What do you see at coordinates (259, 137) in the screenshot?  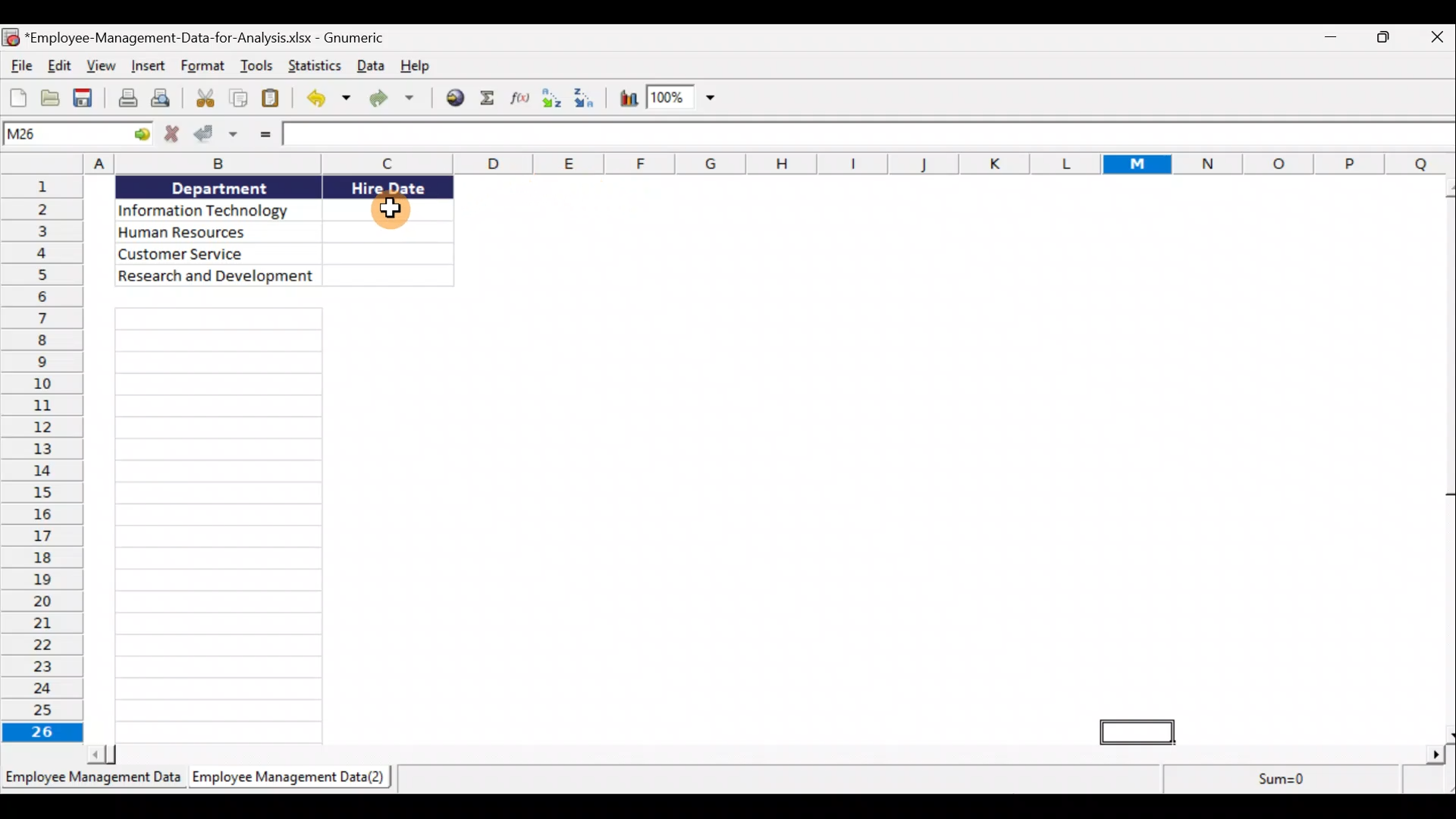 I see `Enter formula` at bounding box center [259, 137].